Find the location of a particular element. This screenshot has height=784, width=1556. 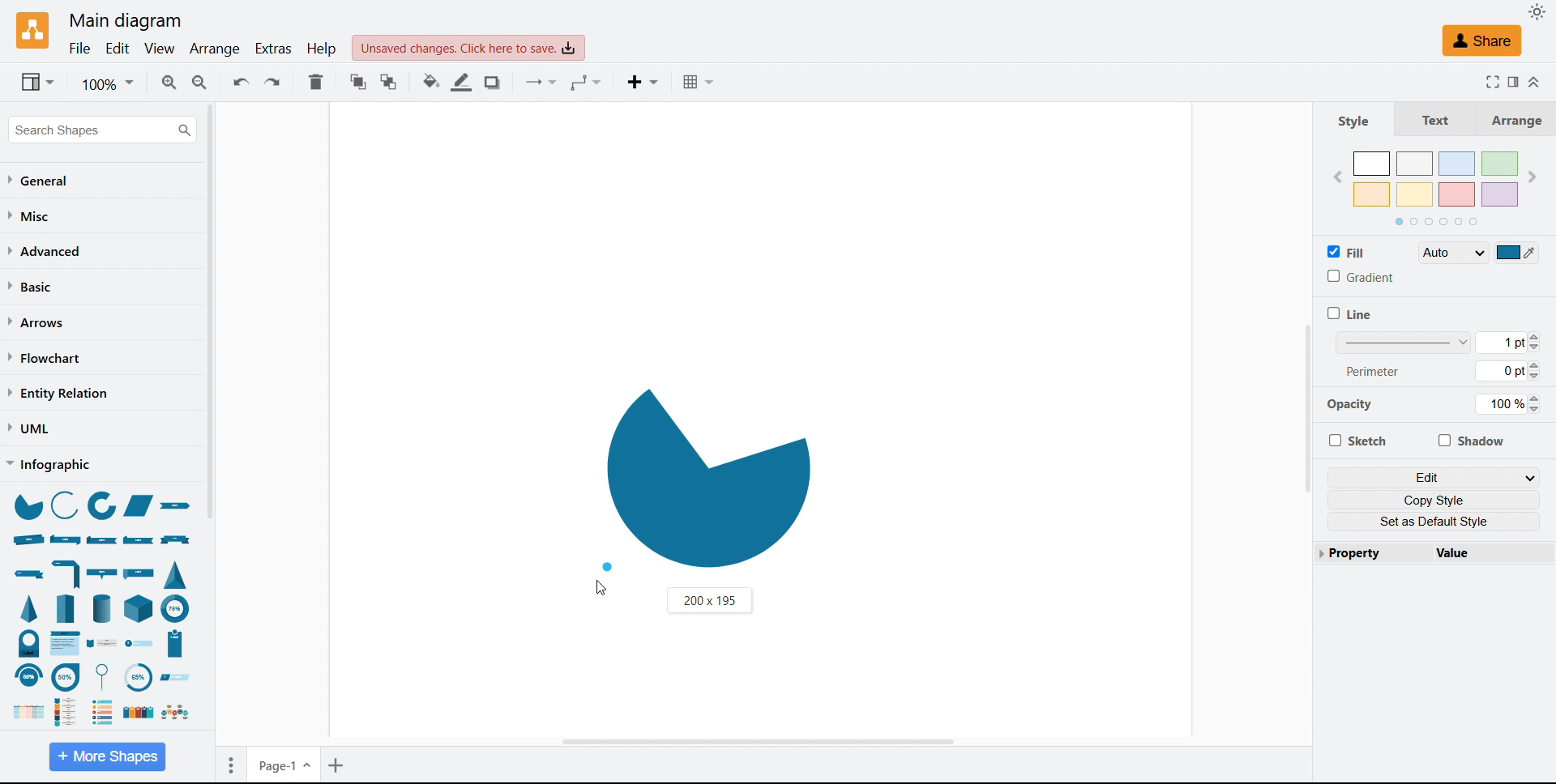

Gradient  is located at coordinates (1360, 276).